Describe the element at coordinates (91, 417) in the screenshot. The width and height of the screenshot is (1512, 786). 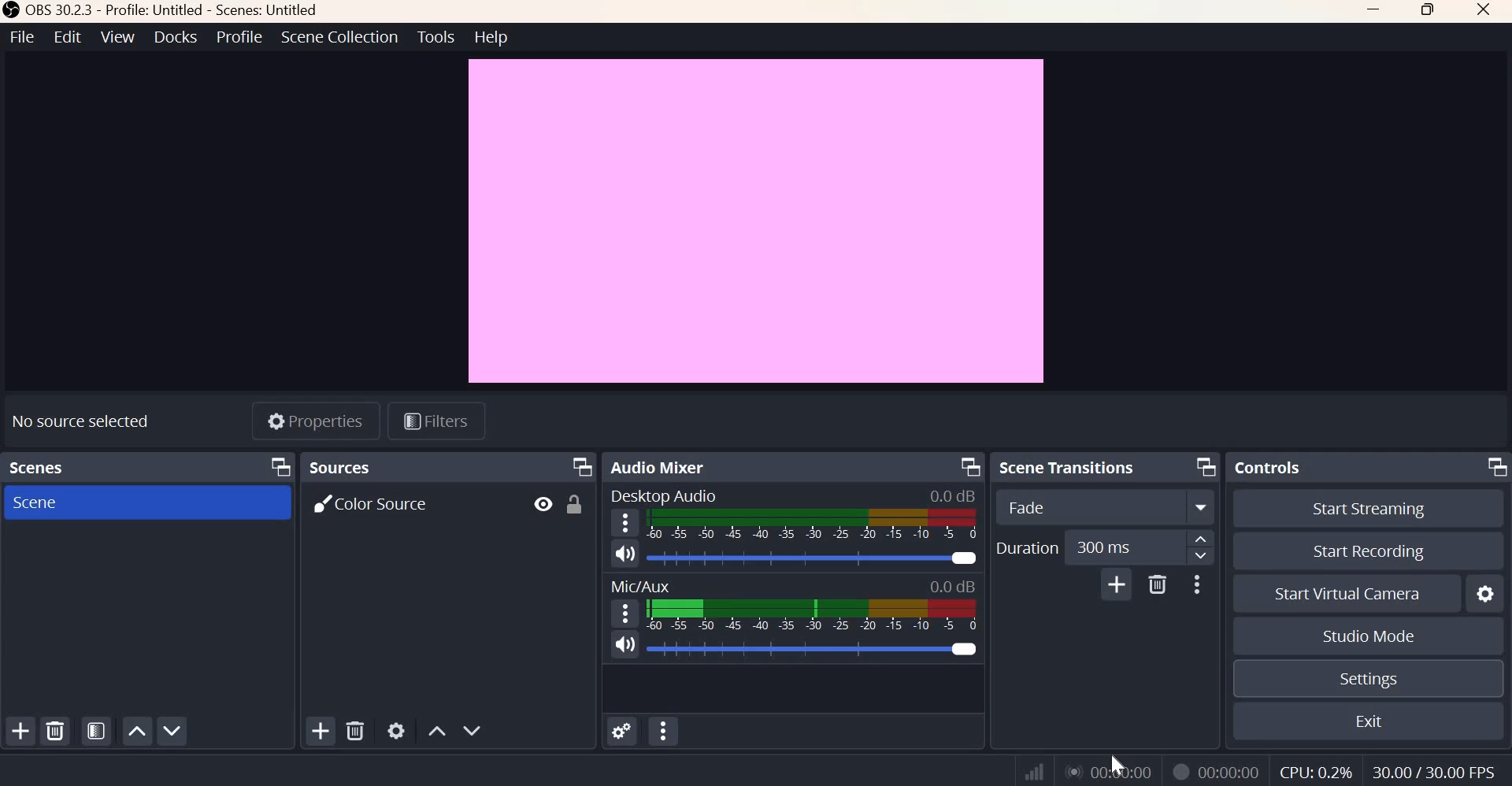
I see `No source selected` at that location.